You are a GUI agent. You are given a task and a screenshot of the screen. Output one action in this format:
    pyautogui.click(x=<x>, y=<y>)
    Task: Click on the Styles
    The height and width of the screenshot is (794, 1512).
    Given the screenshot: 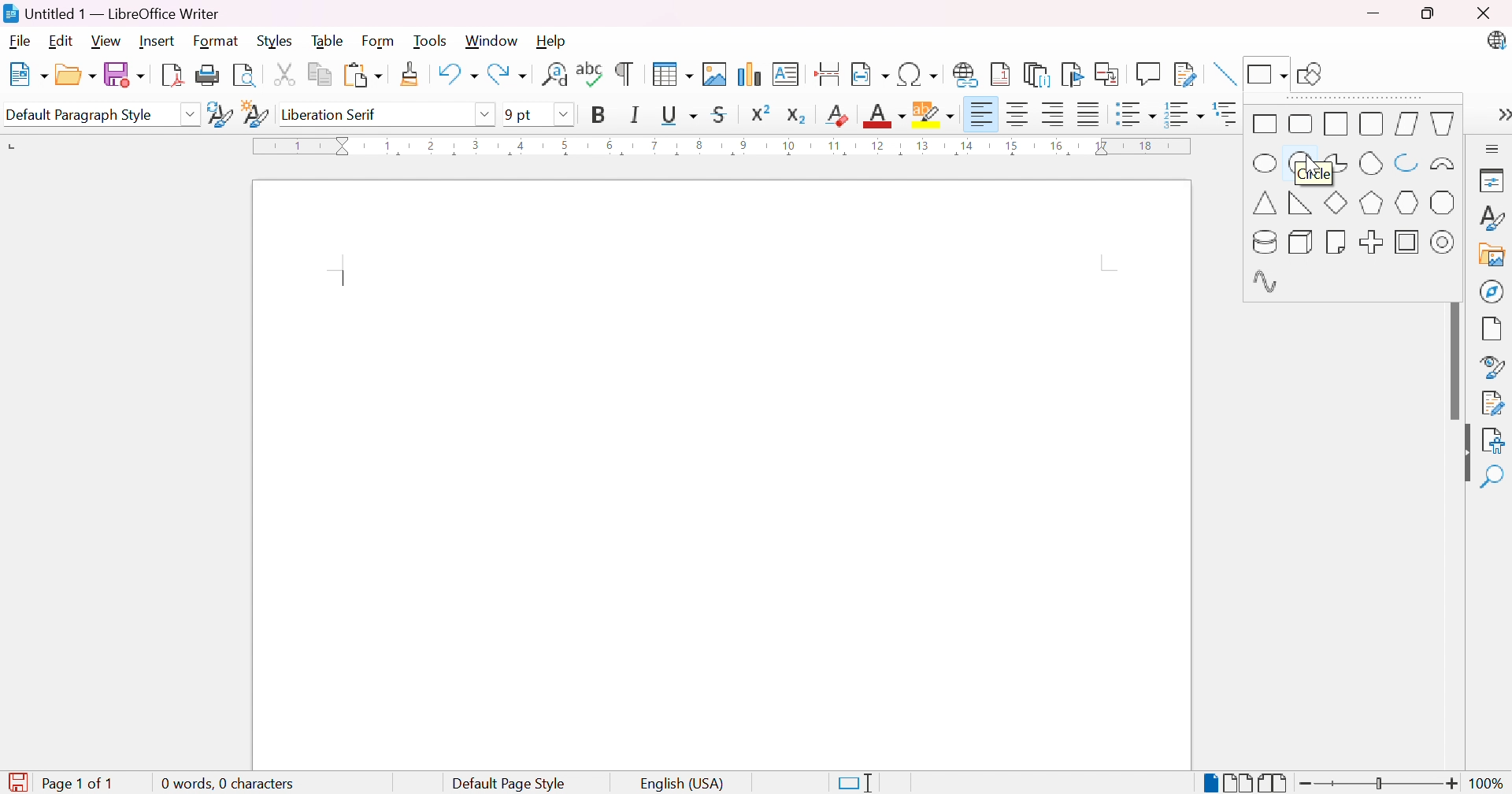 What is the action you would take?
    pyautogui.click(x=1494, y=219)
    